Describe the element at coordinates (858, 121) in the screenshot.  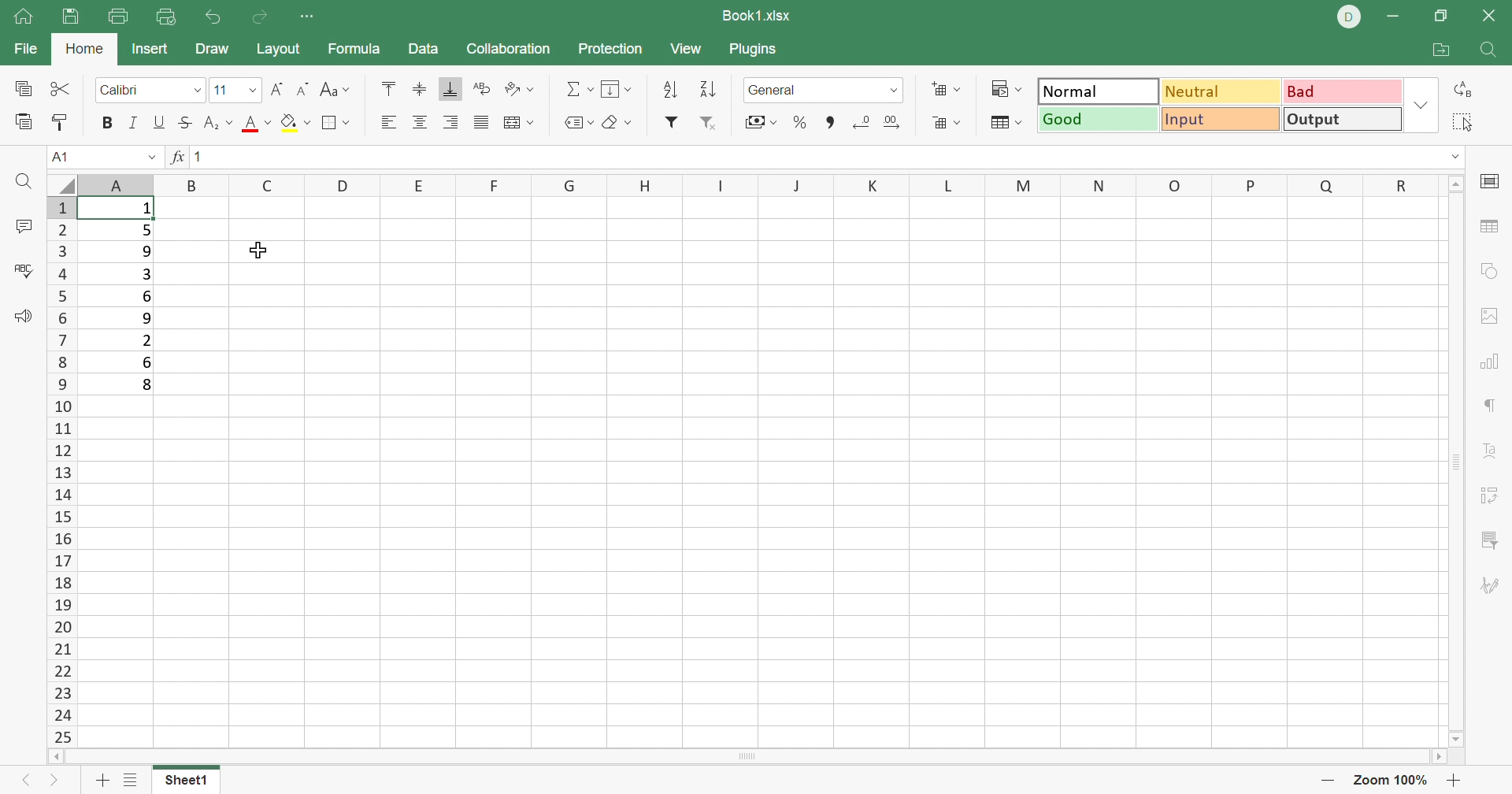
I see `Decrease decimal` at that location.